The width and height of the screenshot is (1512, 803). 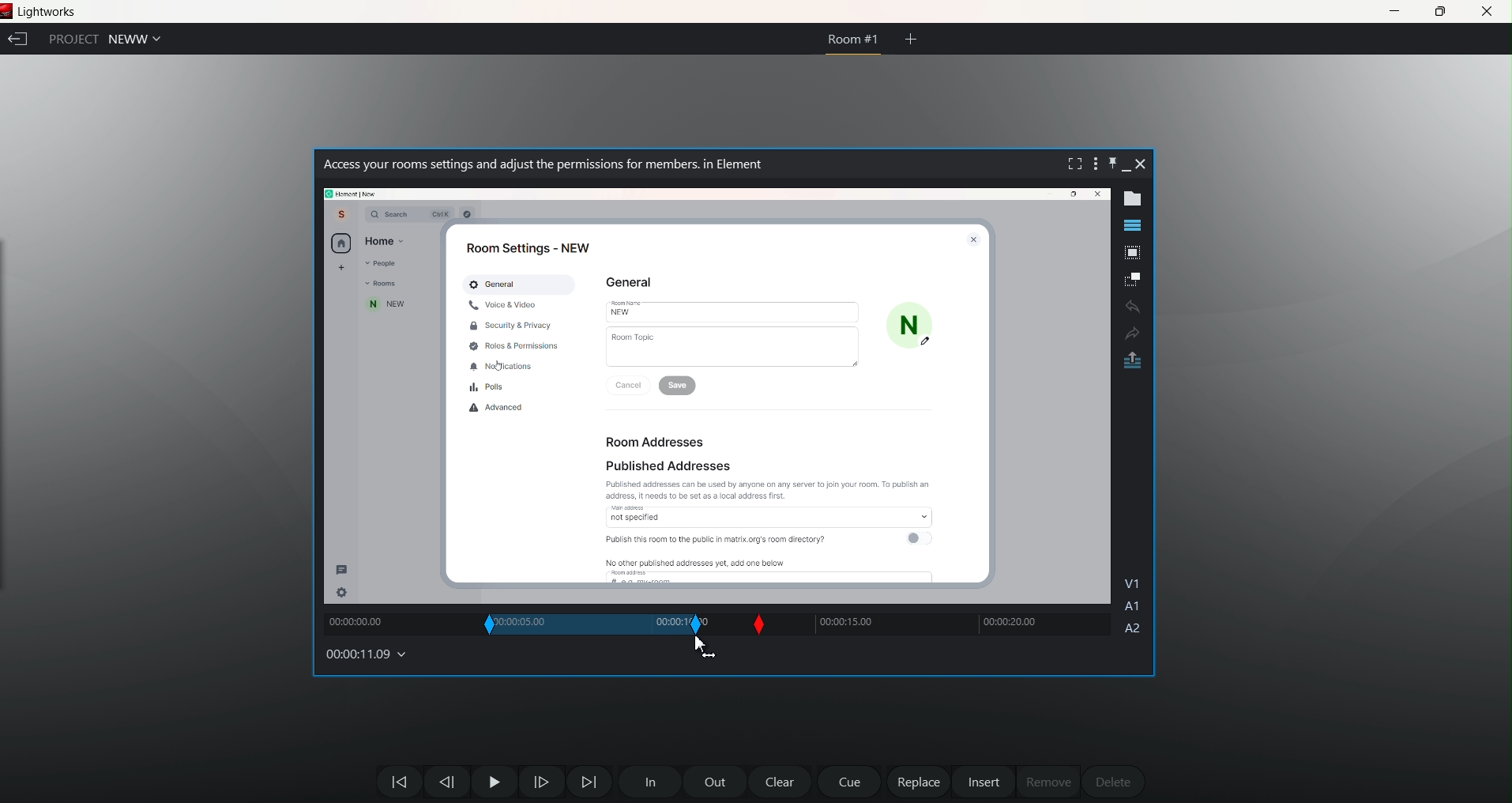 I want to click on Home, so click(x=386, y=241).